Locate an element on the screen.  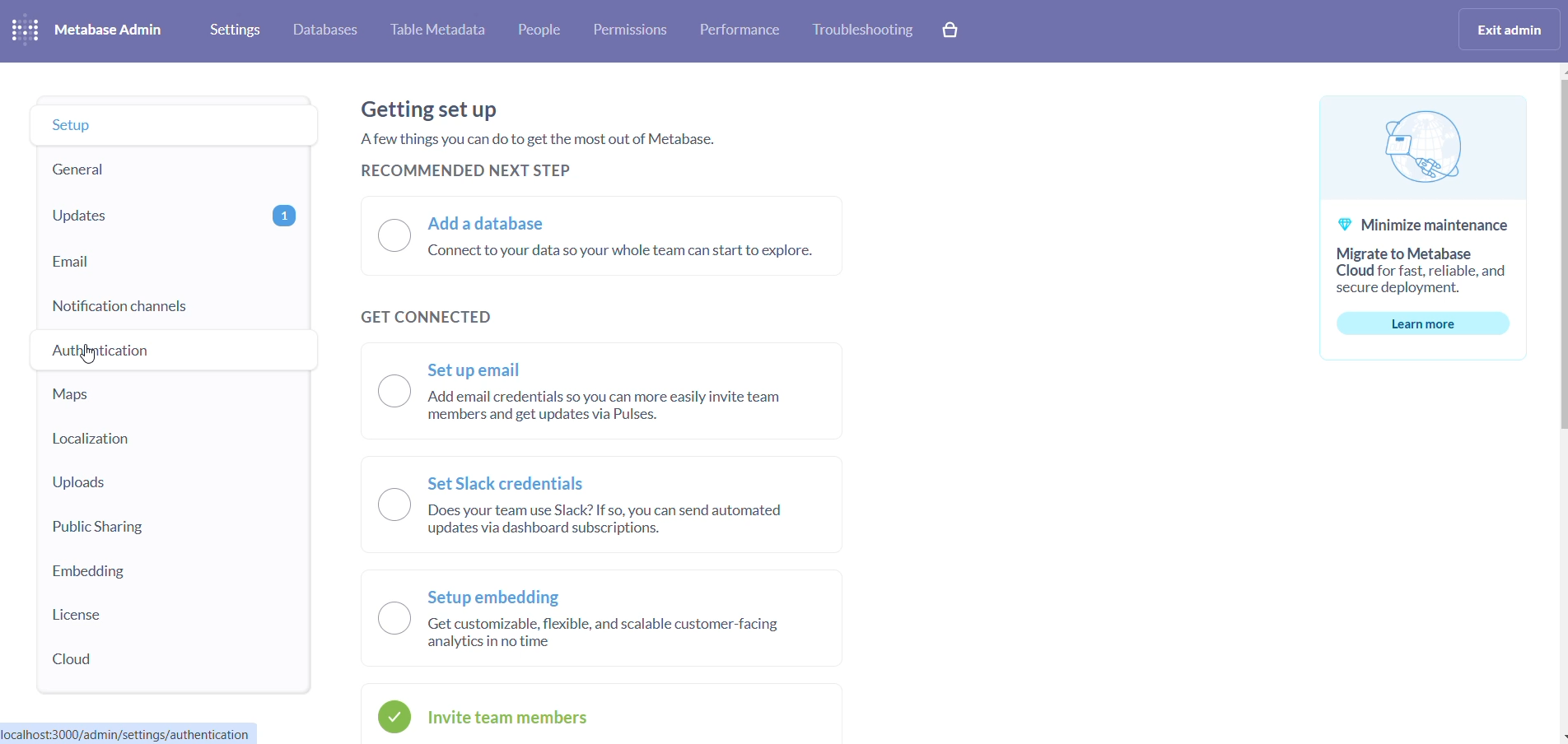
scrollbar is located at coordinates (1558, 261).